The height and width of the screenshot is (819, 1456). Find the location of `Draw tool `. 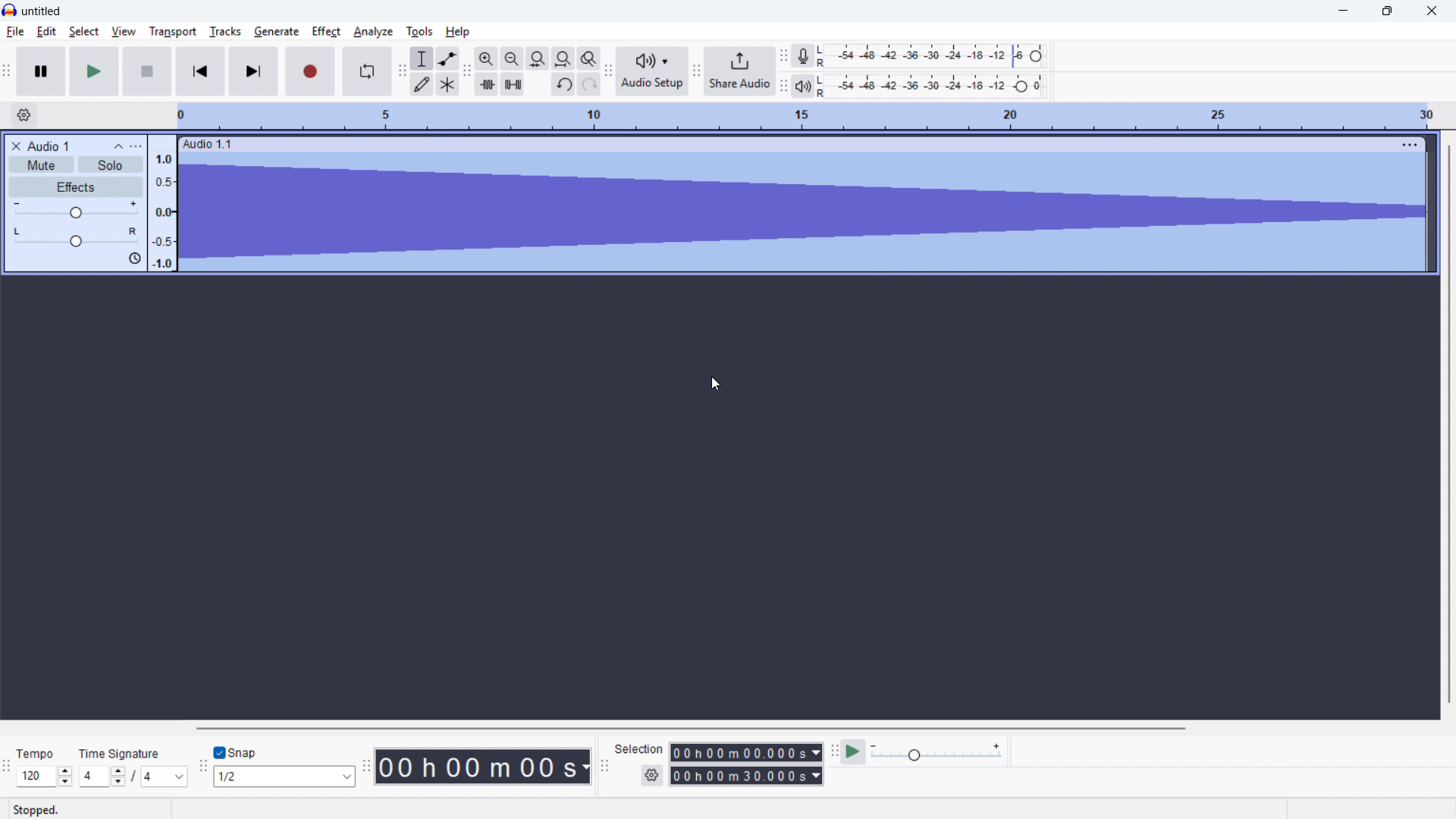

Draw tool  is located at coordinates (423, 85).